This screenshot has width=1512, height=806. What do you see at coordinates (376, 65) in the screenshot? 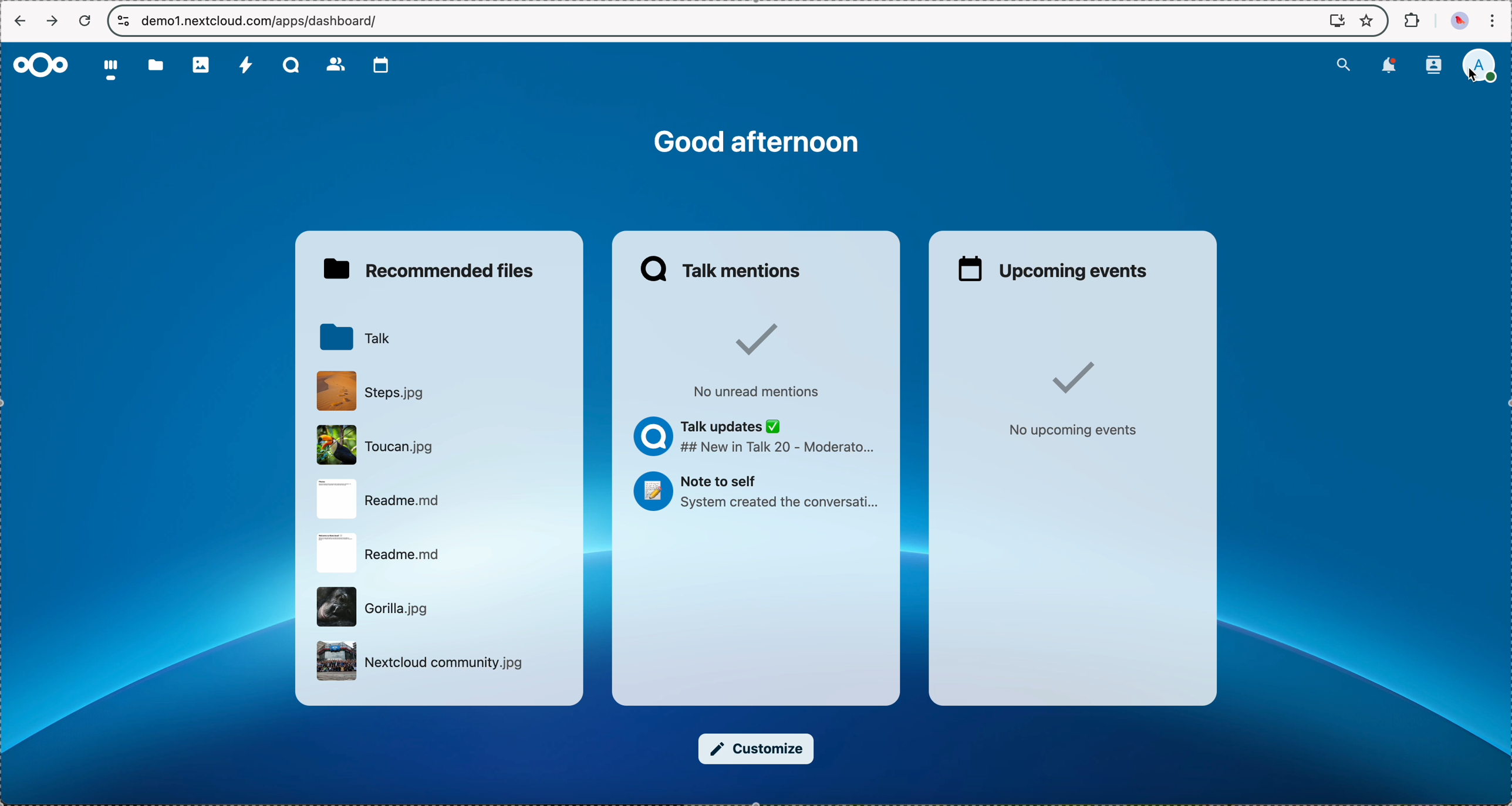
I see `calendar` at bounding box center [376, 65].